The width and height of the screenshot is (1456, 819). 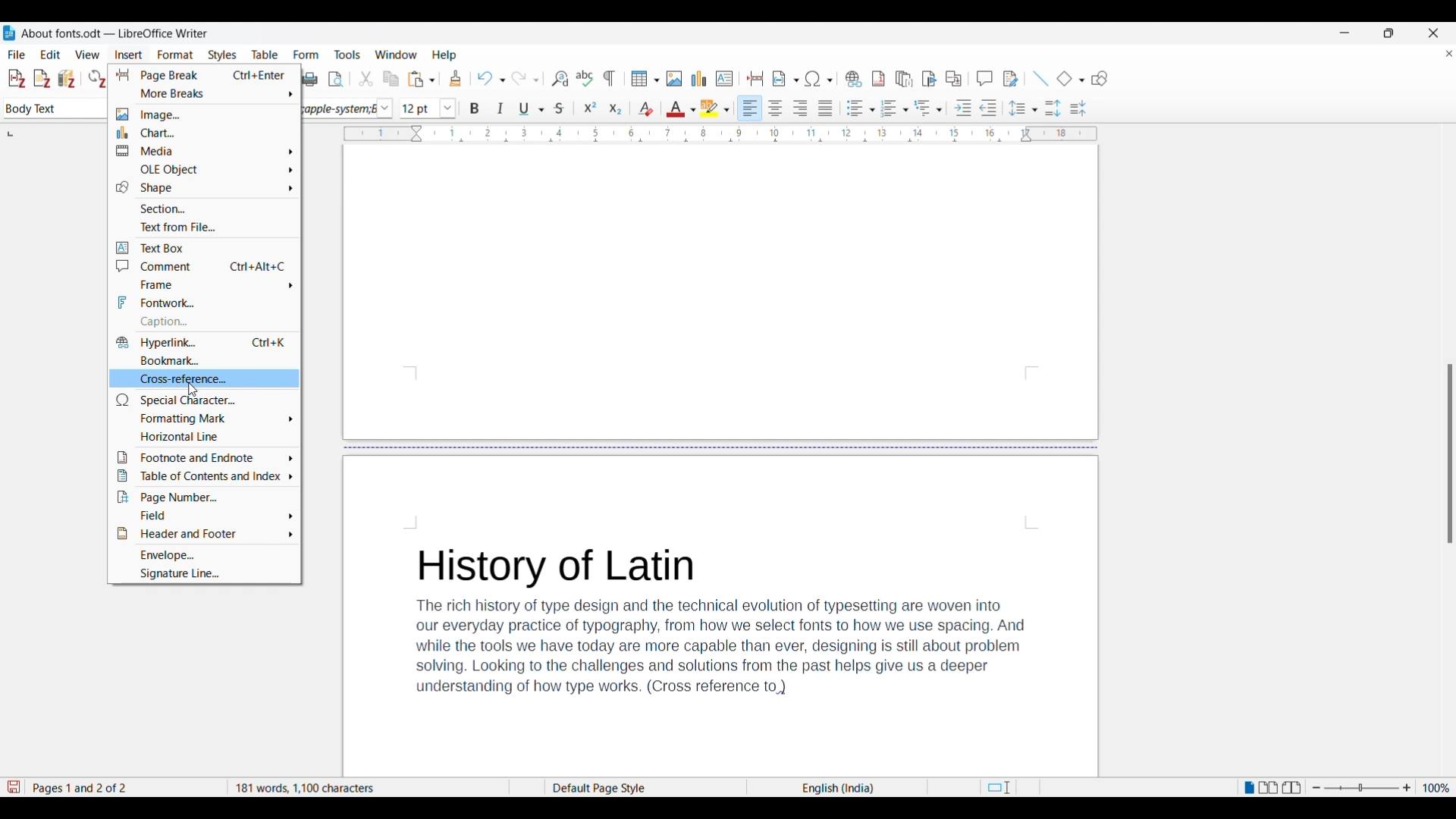 I want to click on Italics, so click(x=501, y=108).